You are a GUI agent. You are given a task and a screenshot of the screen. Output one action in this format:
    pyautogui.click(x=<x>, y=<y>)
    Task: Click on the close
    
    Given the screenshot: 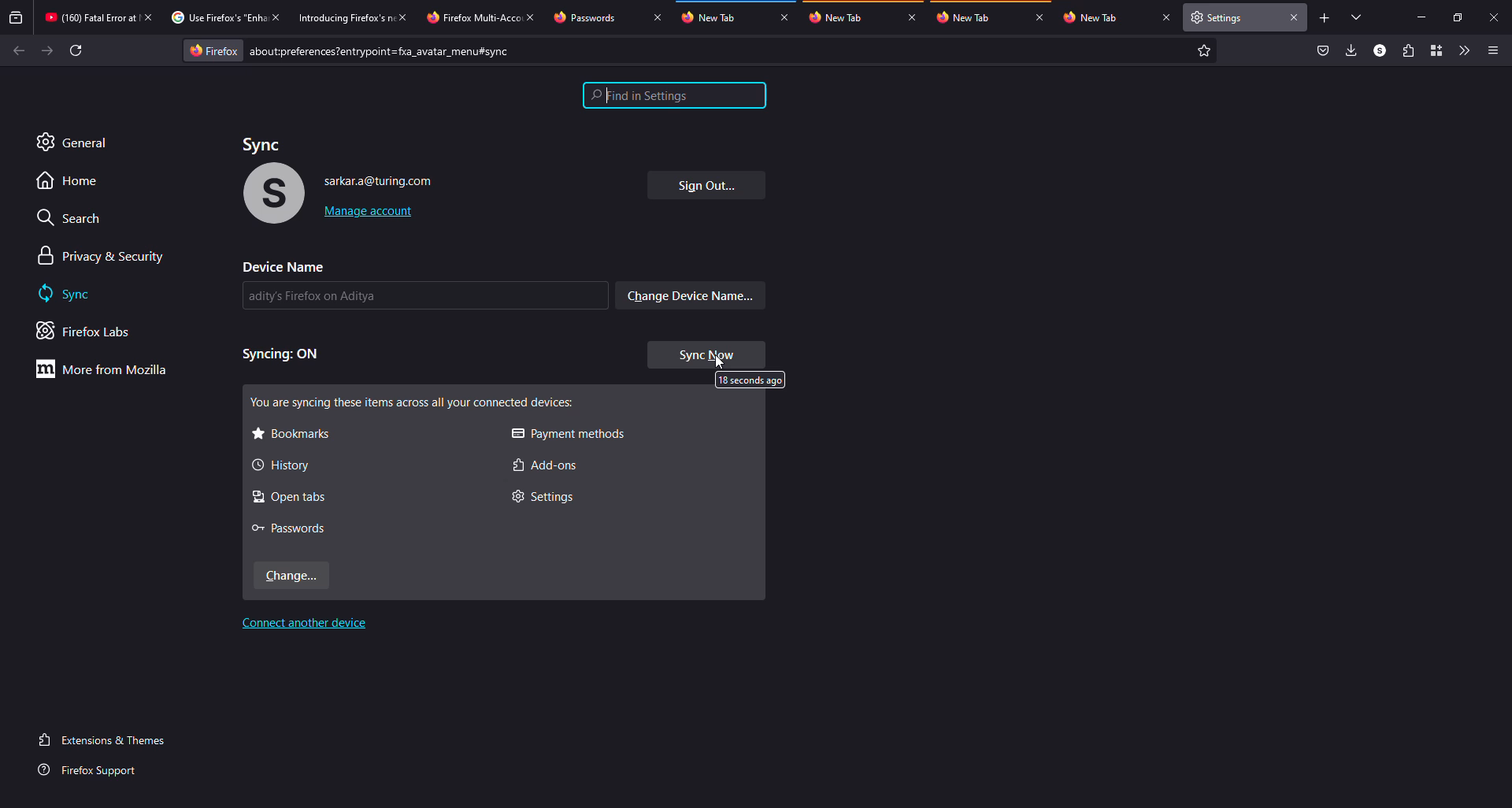 What is the action you would take?
    pyautogui.click(x=784, y=17)
    